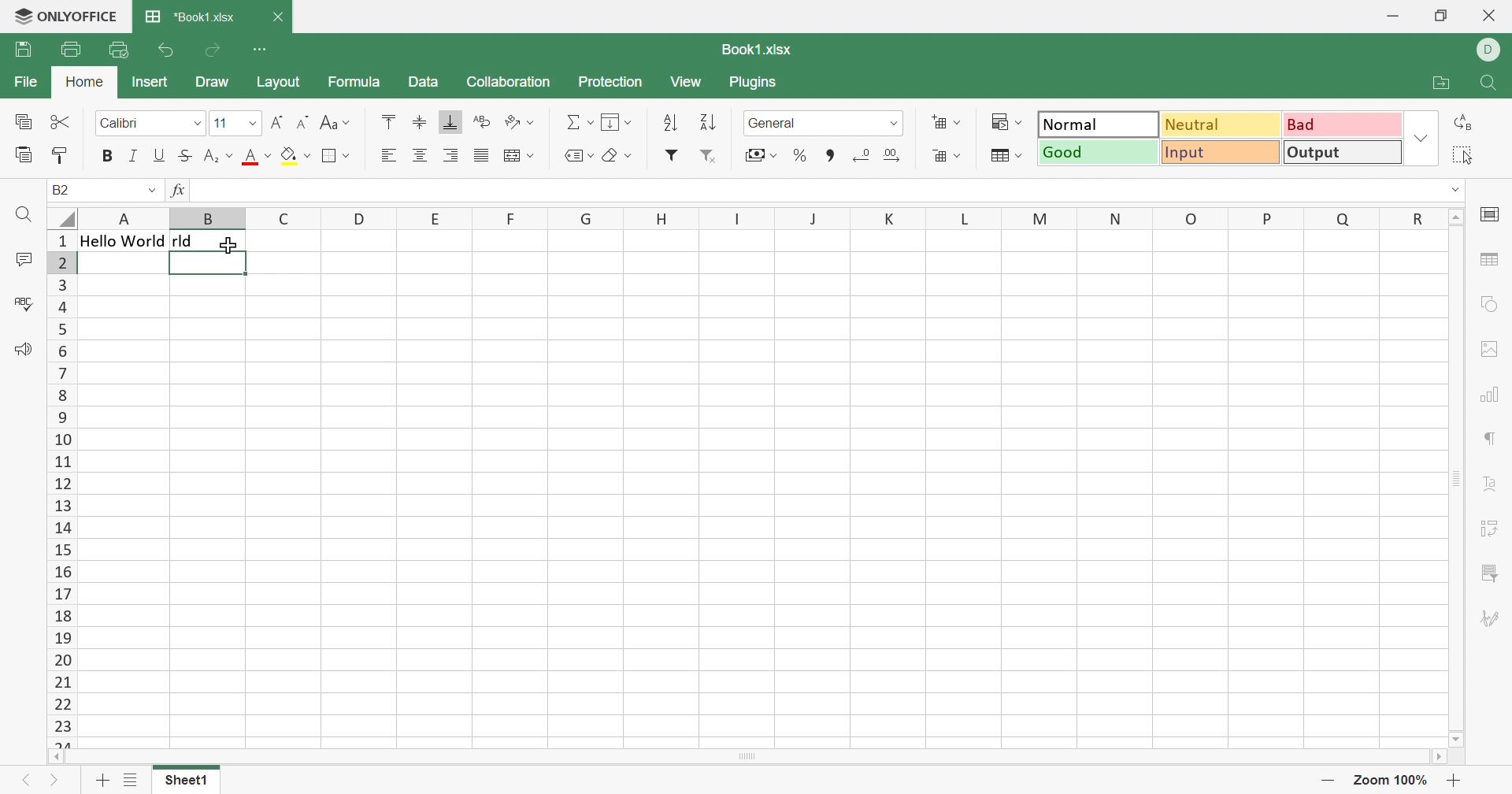 The image size is (1512, 794). I want to click on =RIGHT(A1,3), so click(241, 189).